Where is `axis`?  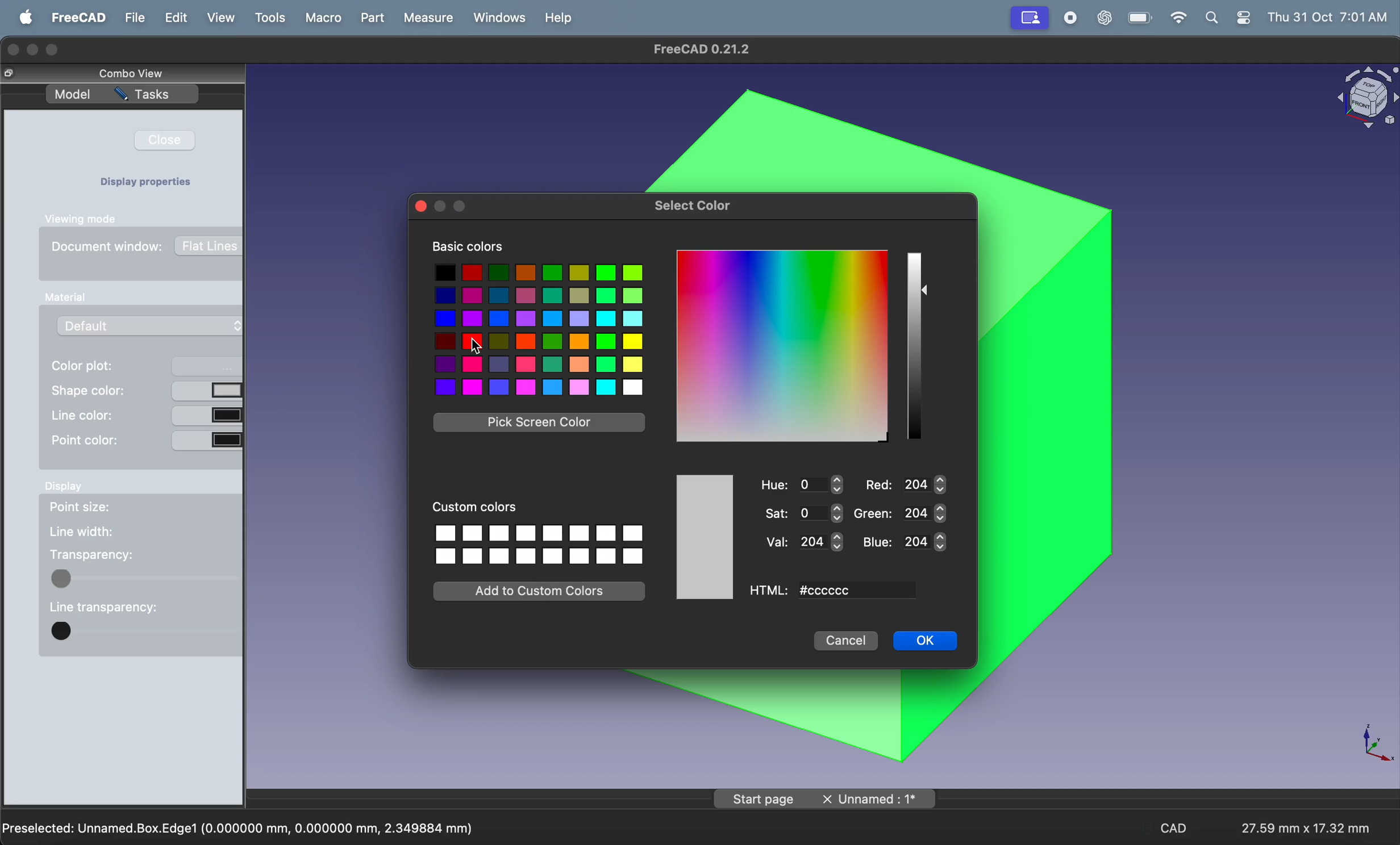 axis is located at coordinates (1370, 742).